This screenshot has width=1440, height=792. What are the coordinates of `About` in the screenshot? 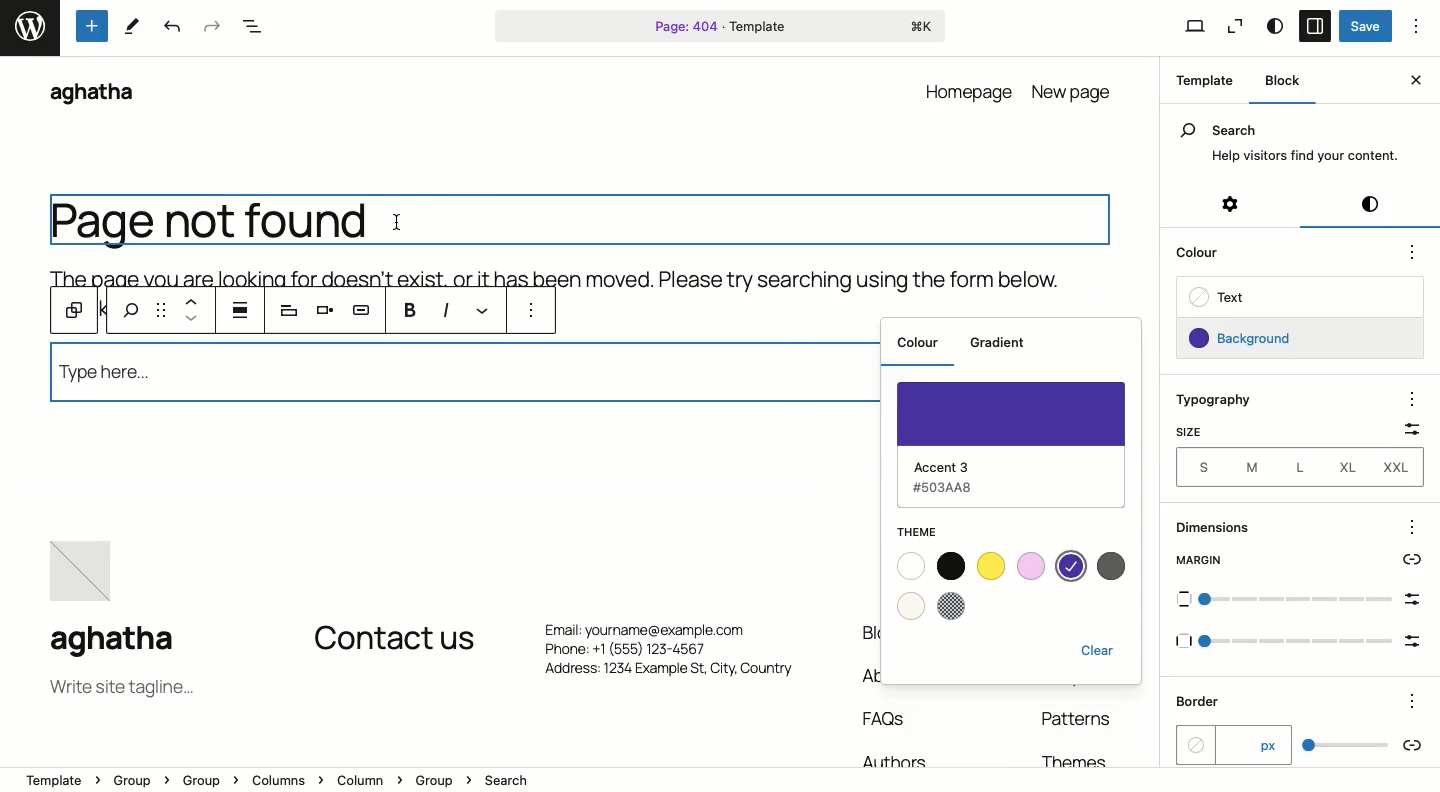 It's located at (868, 674).